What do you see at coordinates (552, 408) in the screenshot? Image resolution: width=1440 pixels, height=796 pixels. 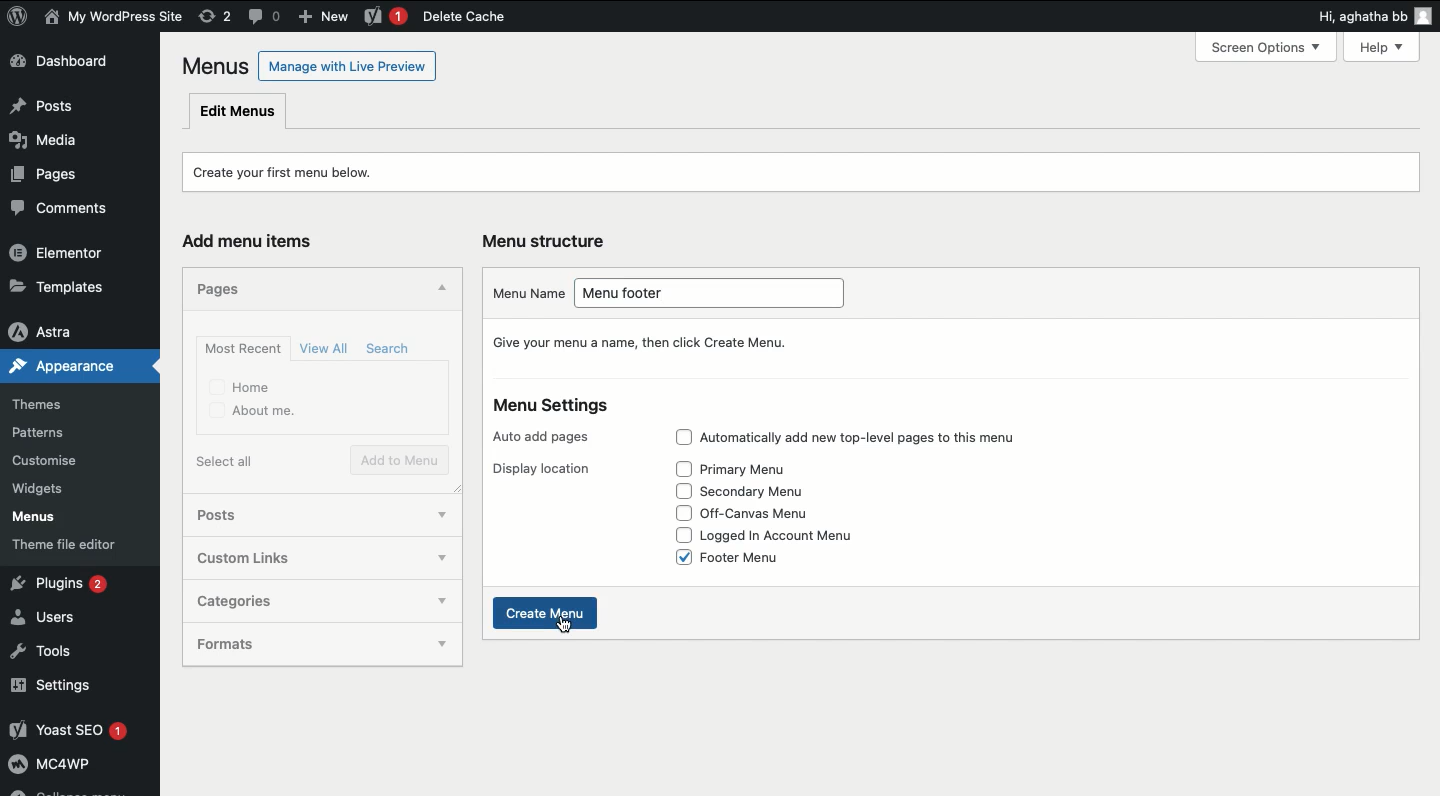 I see `Menu settings` at bounding box center [552, 408].